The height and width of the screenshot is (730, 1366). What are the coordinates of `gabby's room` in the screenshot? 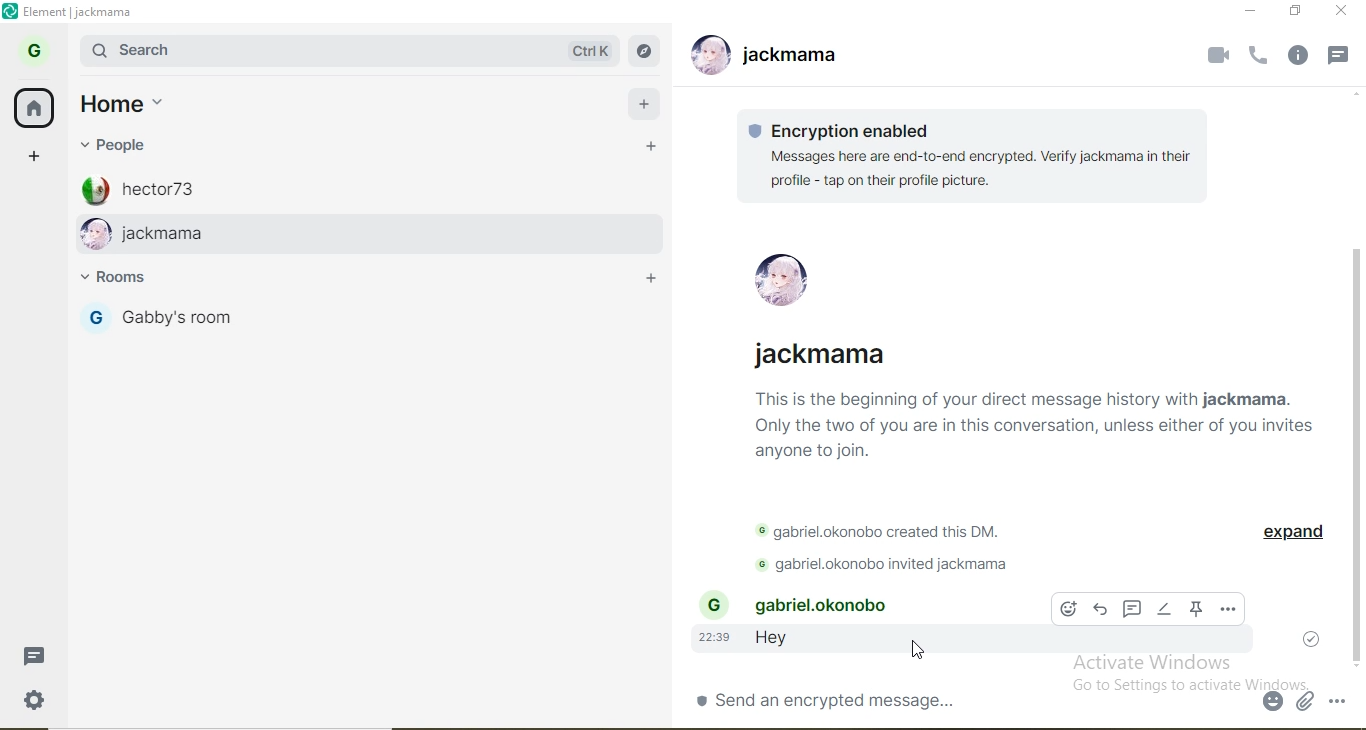 It's located at (246, 317).